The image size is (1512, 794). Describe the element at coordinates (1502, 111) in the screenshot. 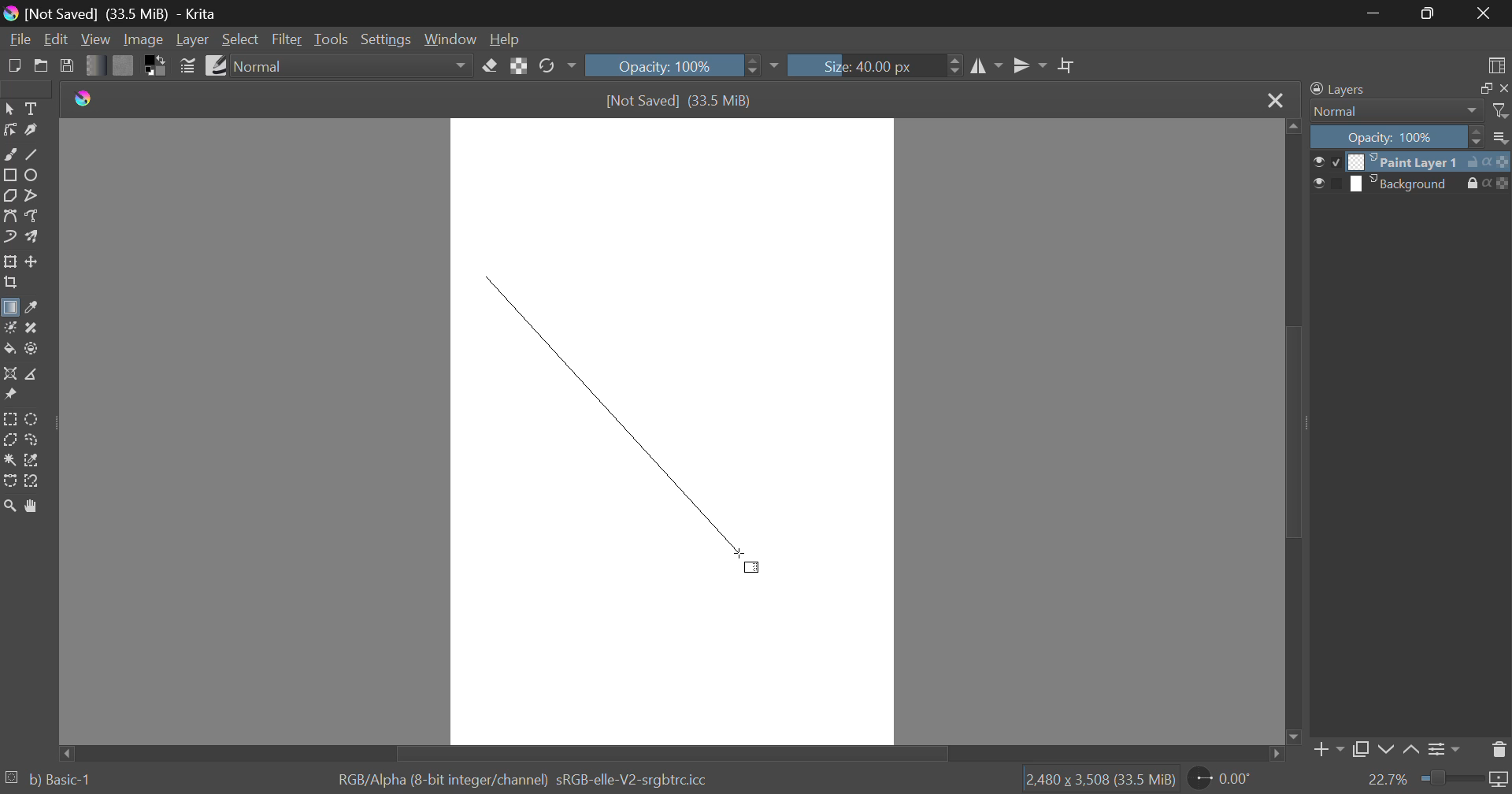

I see `filter` at that location.